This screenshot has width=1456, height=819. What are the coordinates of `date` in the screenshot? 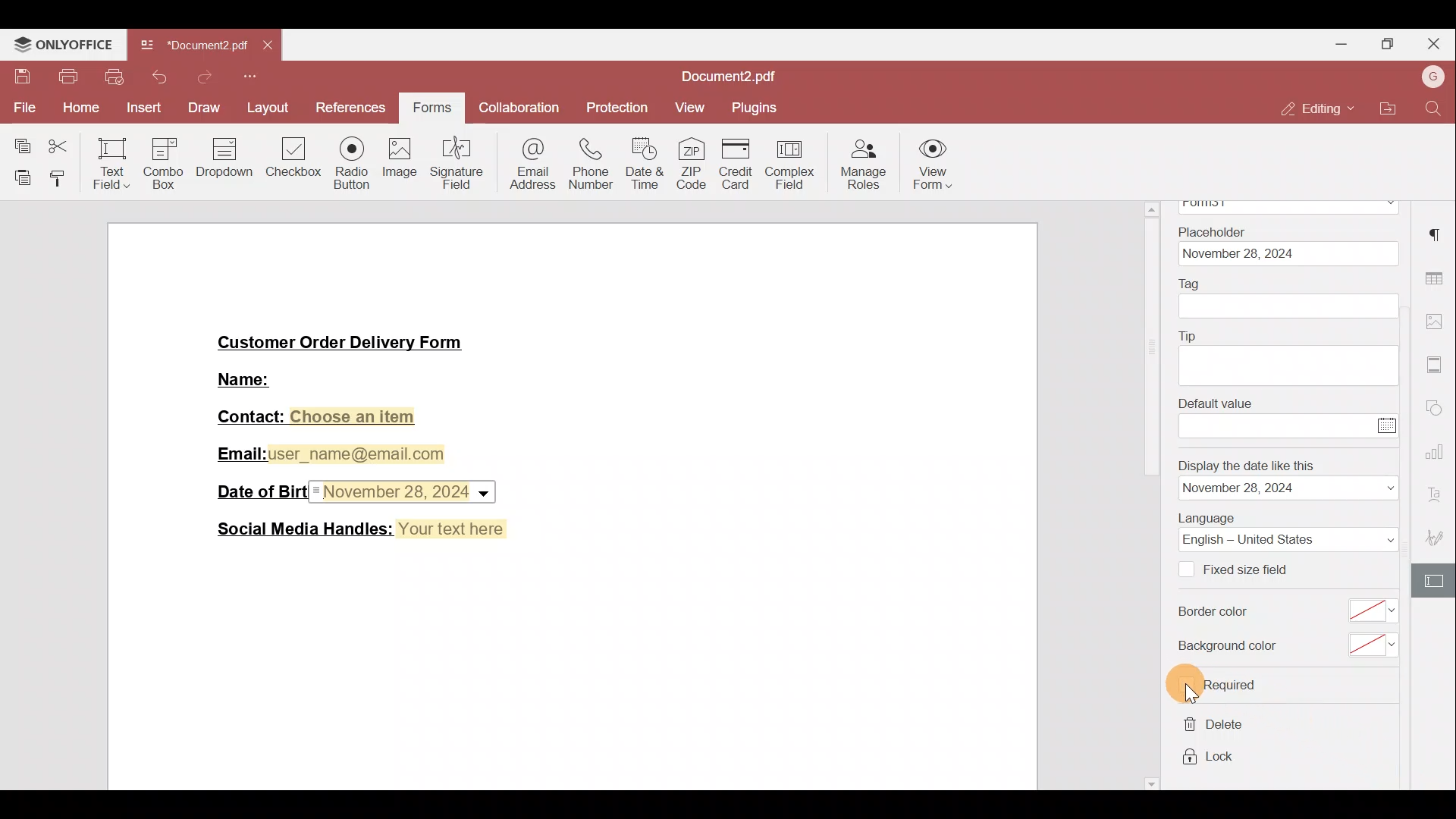 It's located at (1288, 253).